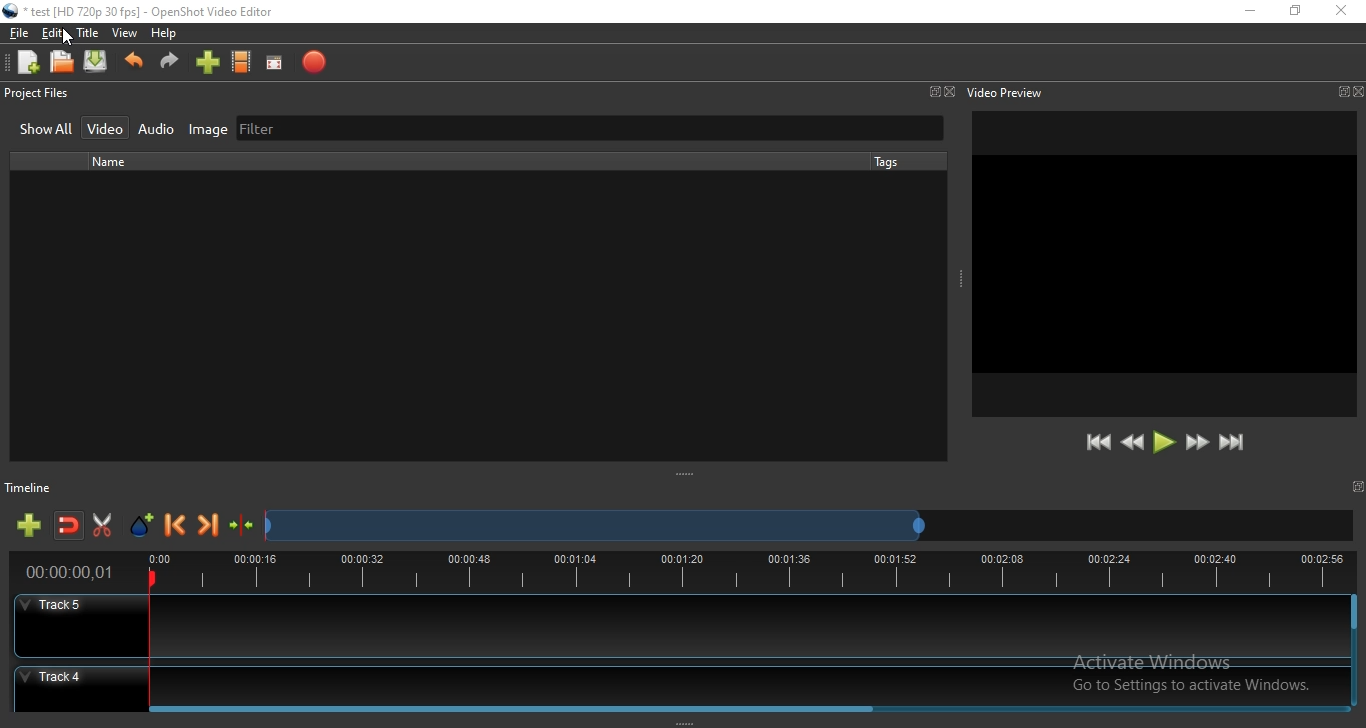  What do you see at coordinates (1249, 12) in the screenshot?
I see `Minimise` at bounding box center [1249, 12].